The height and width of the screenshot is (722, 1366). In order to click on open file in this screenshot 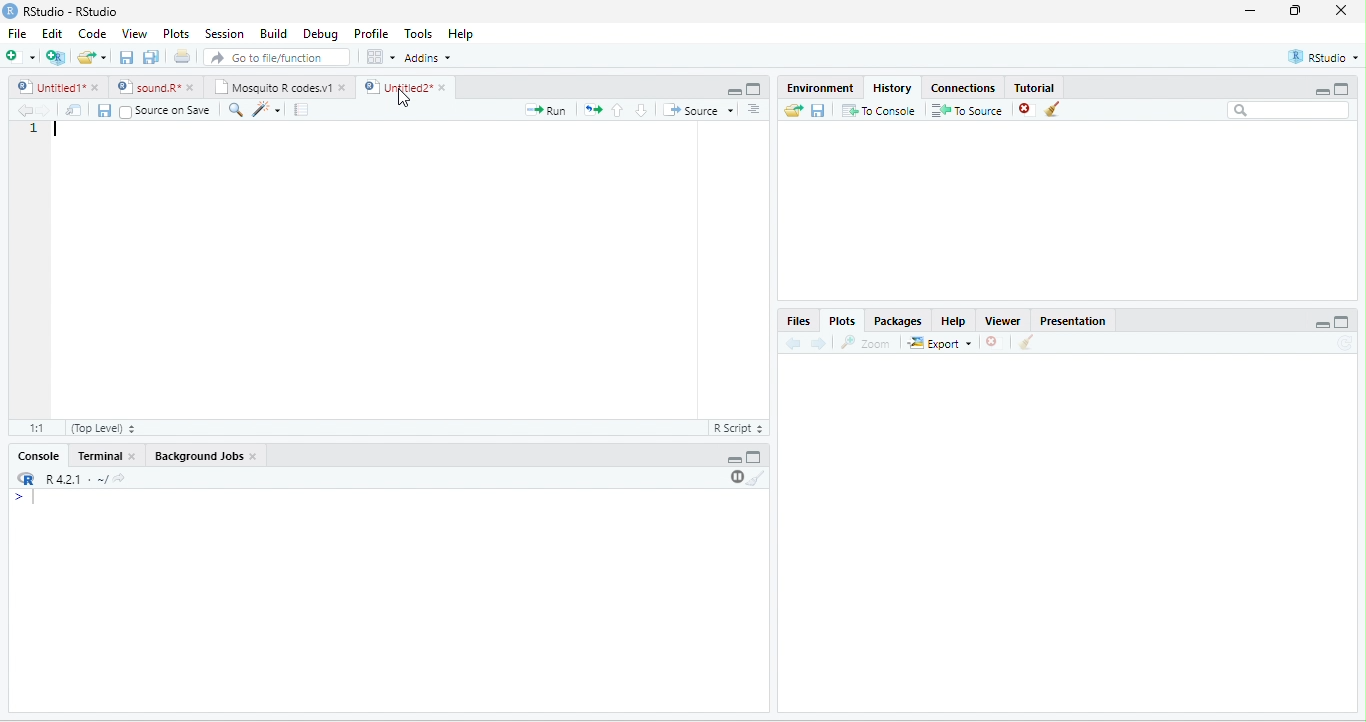, I will do `click(92, 57)`.